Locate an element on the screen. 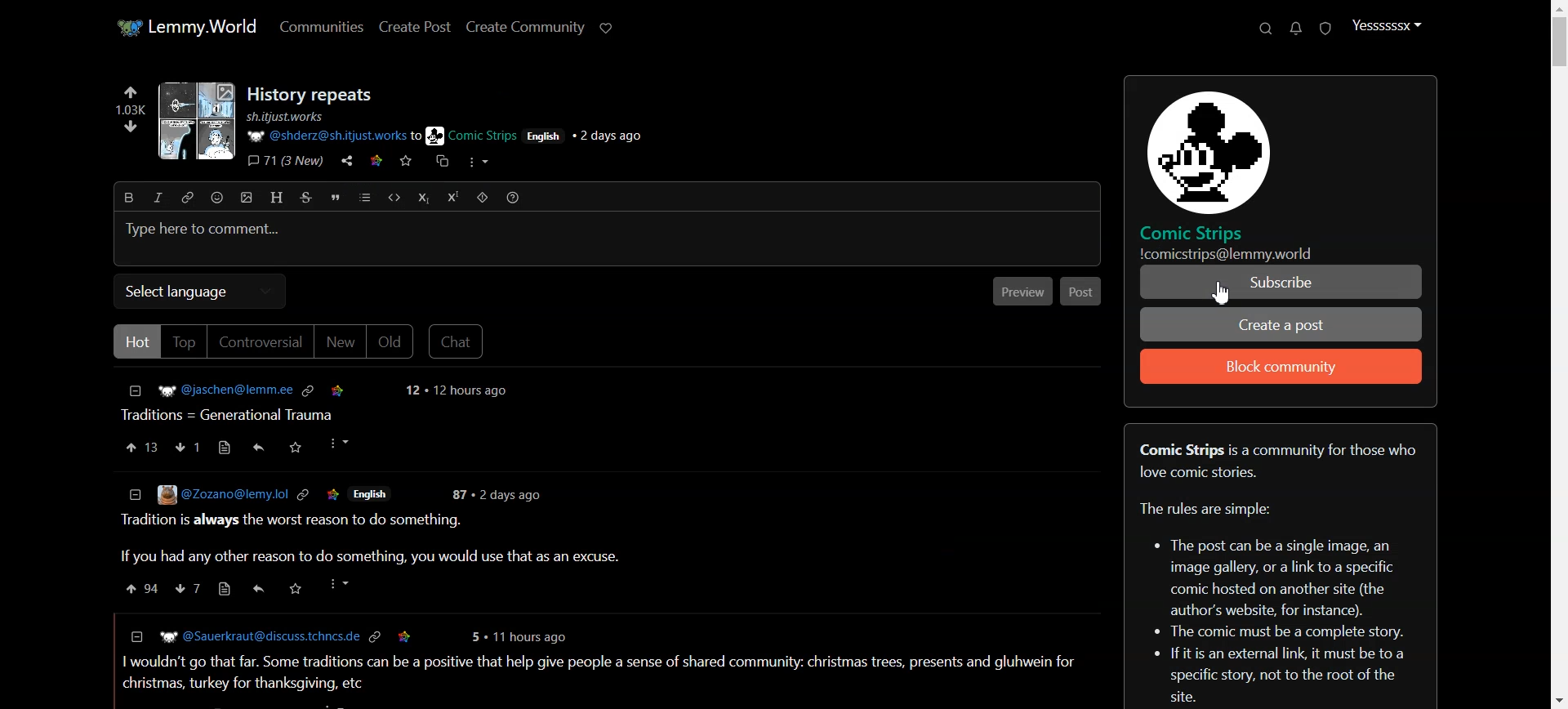 This screenshot has height=709, width=1568. Profile is located at coordinates (1385, 25).